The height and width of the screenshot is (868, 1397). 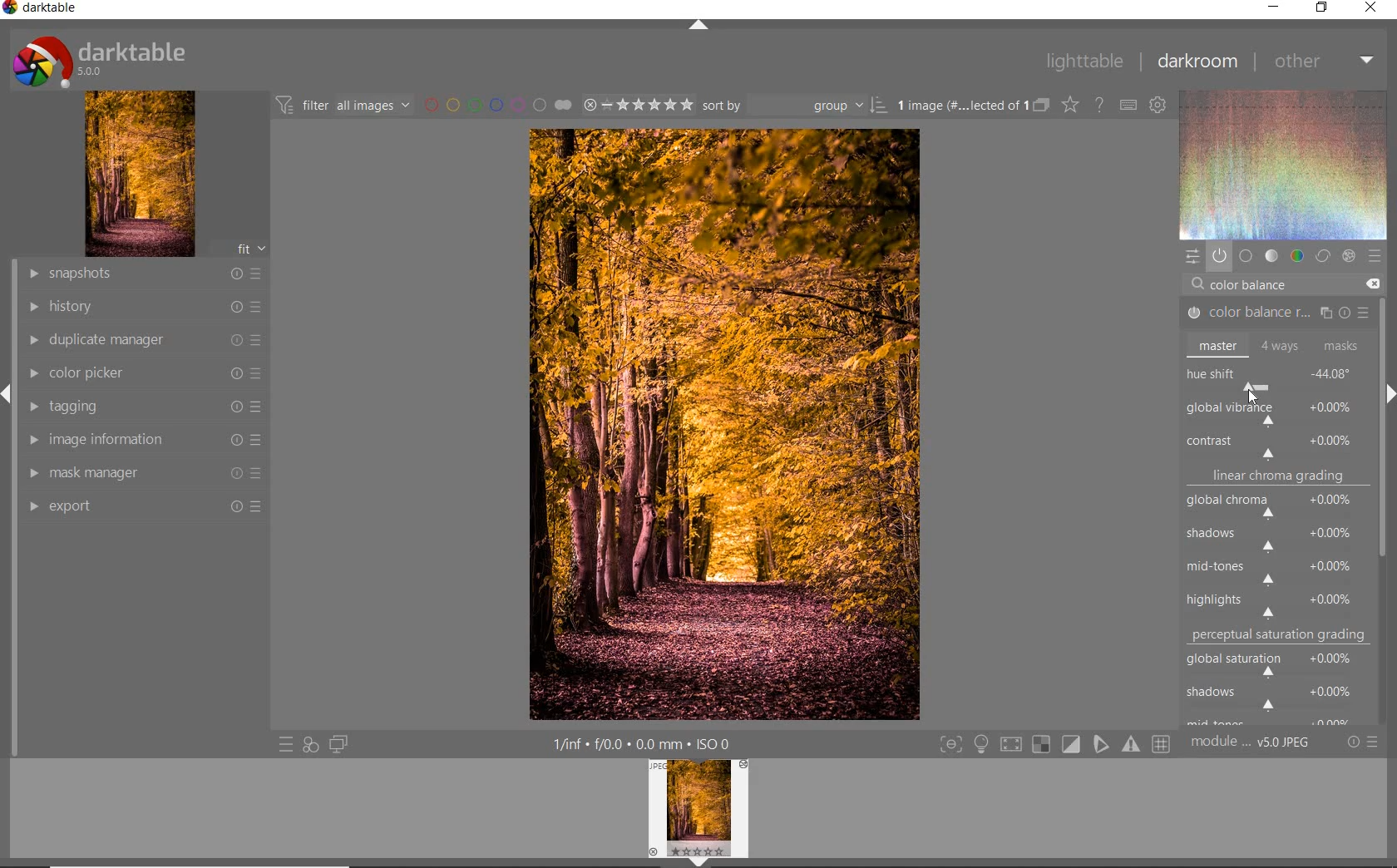 What do you see at coordinates (1274, 345) in the screenshot?
I see `master` at bounding box center [1274, 345].